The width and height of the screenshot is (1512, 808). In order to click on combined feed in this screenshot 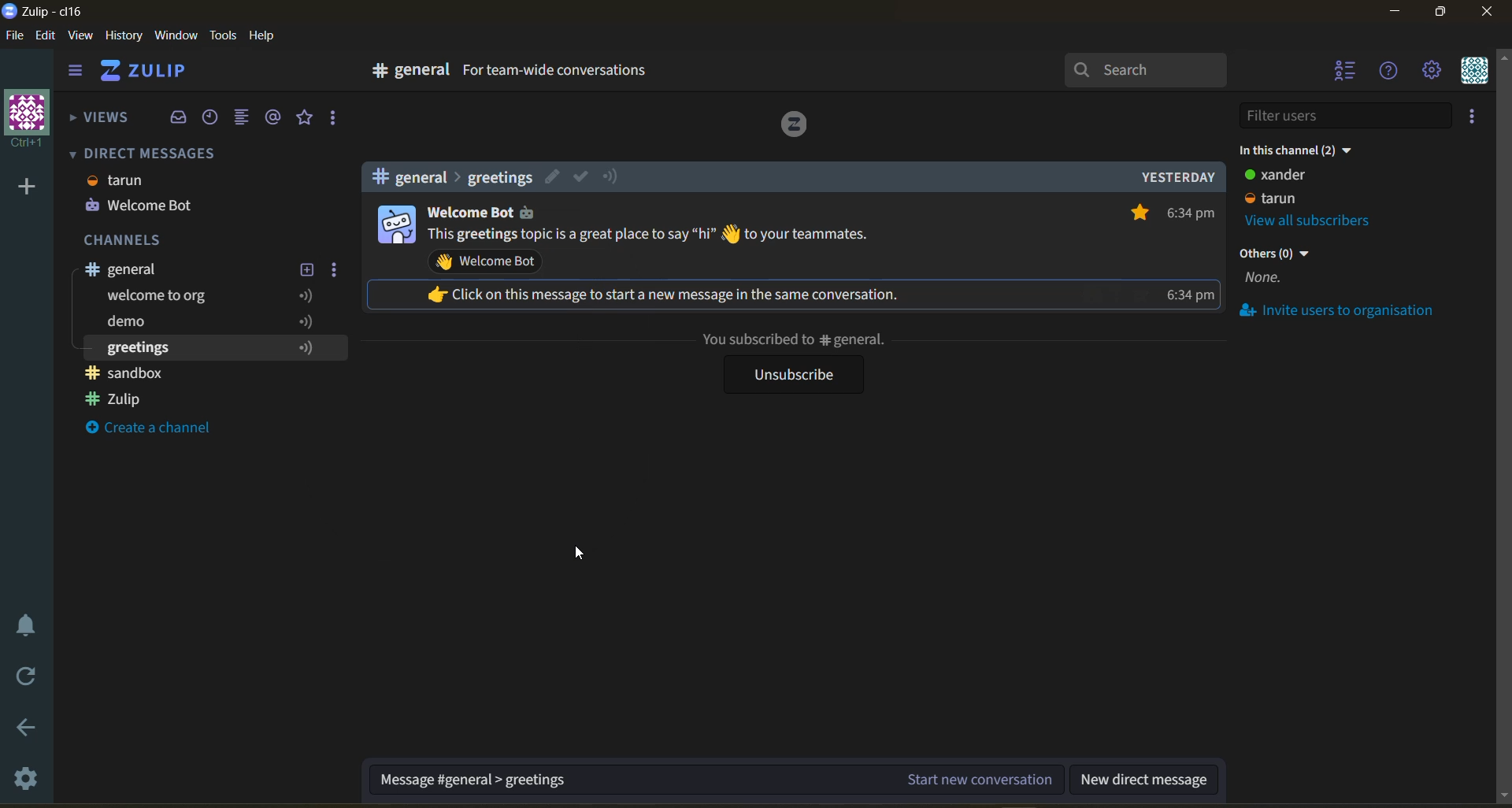, I will do `click(242, 117)`.